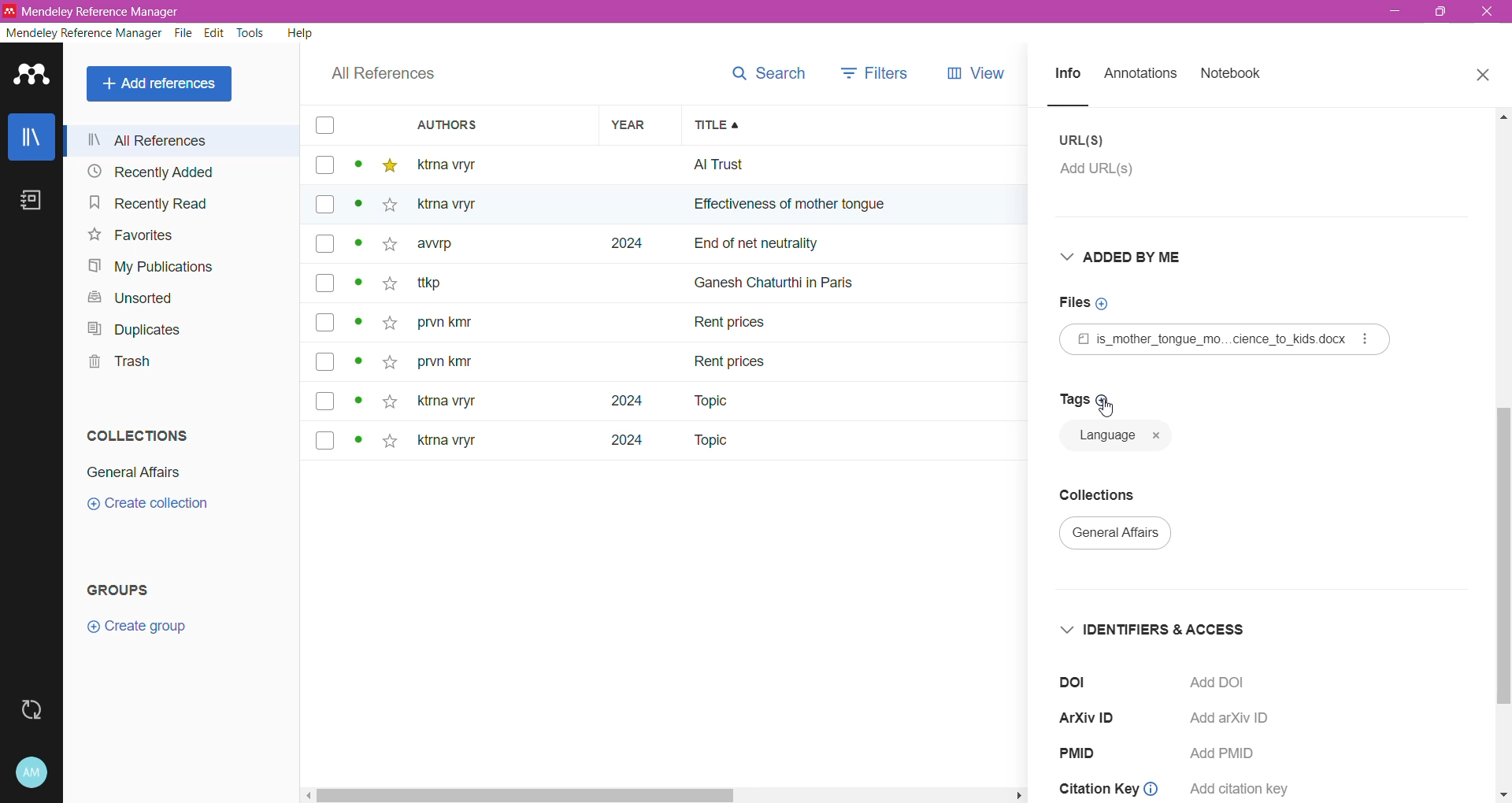  I want to click on dot , so click(354, 442).